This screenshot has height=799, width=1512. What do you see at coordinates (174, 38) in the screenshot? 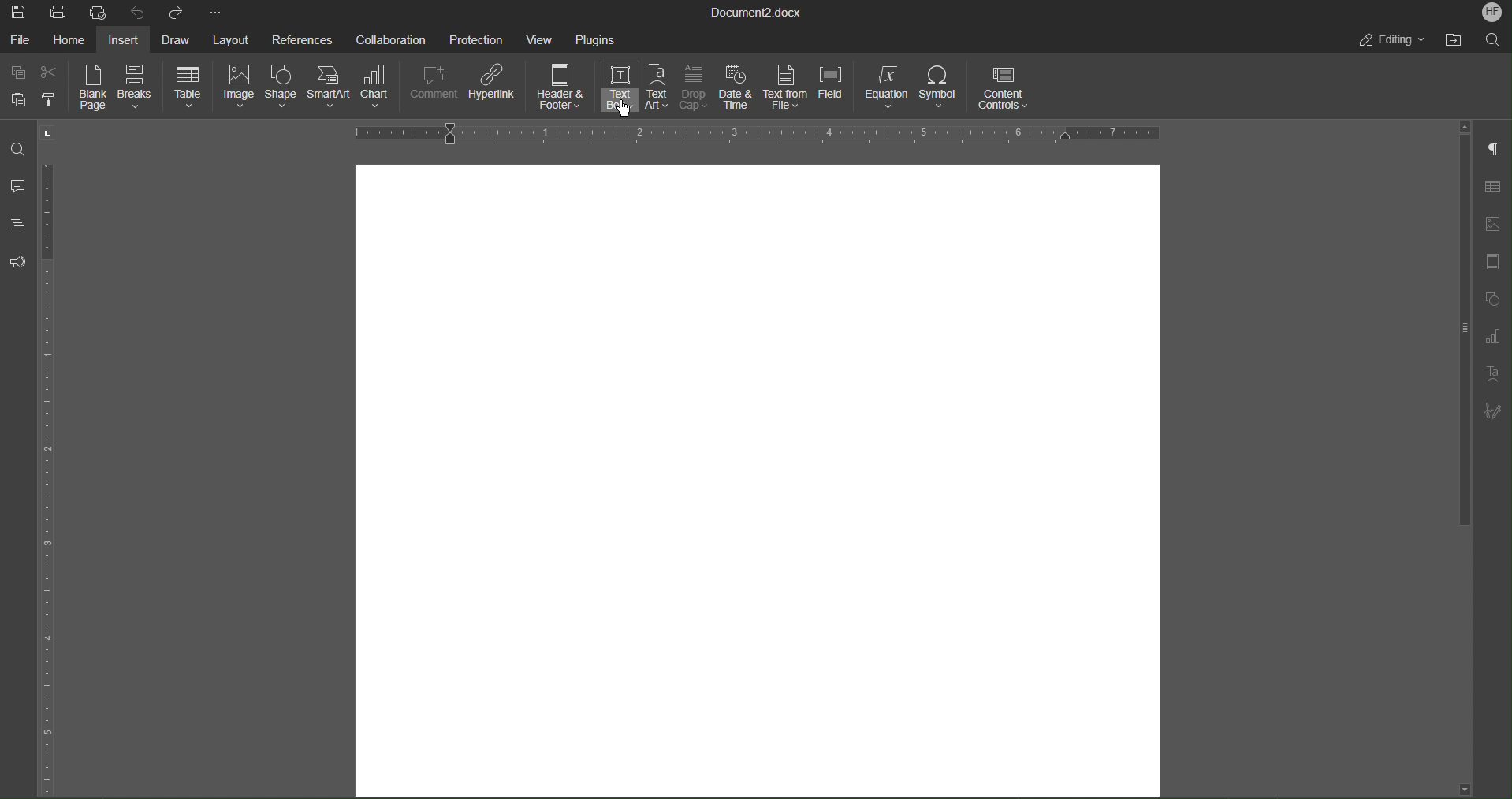
I see `Draw` at bounding box center [174, 38].